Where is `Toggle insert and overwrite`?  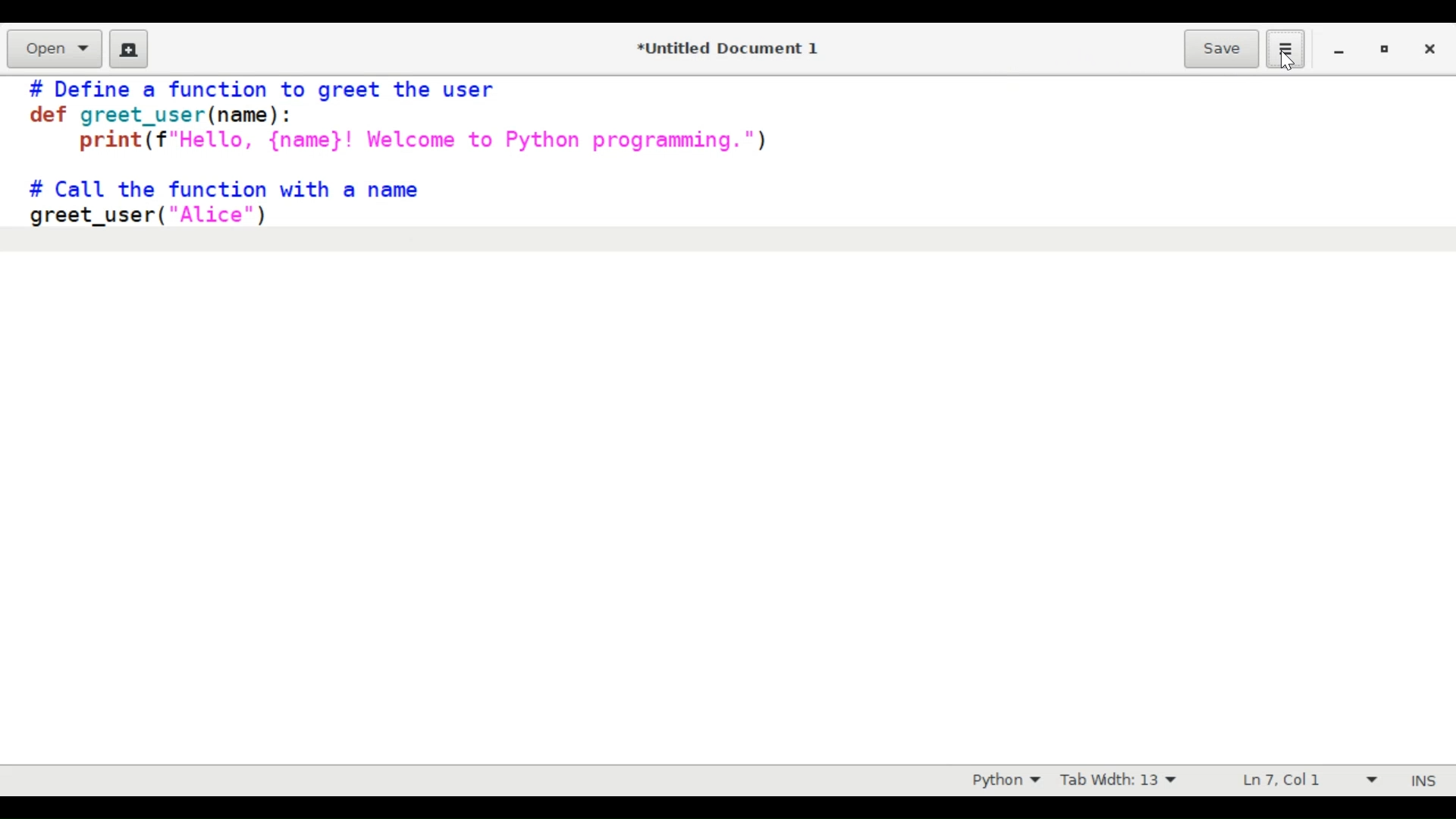 Toggle insert and overwrite is located at coordinates (1409, 780).